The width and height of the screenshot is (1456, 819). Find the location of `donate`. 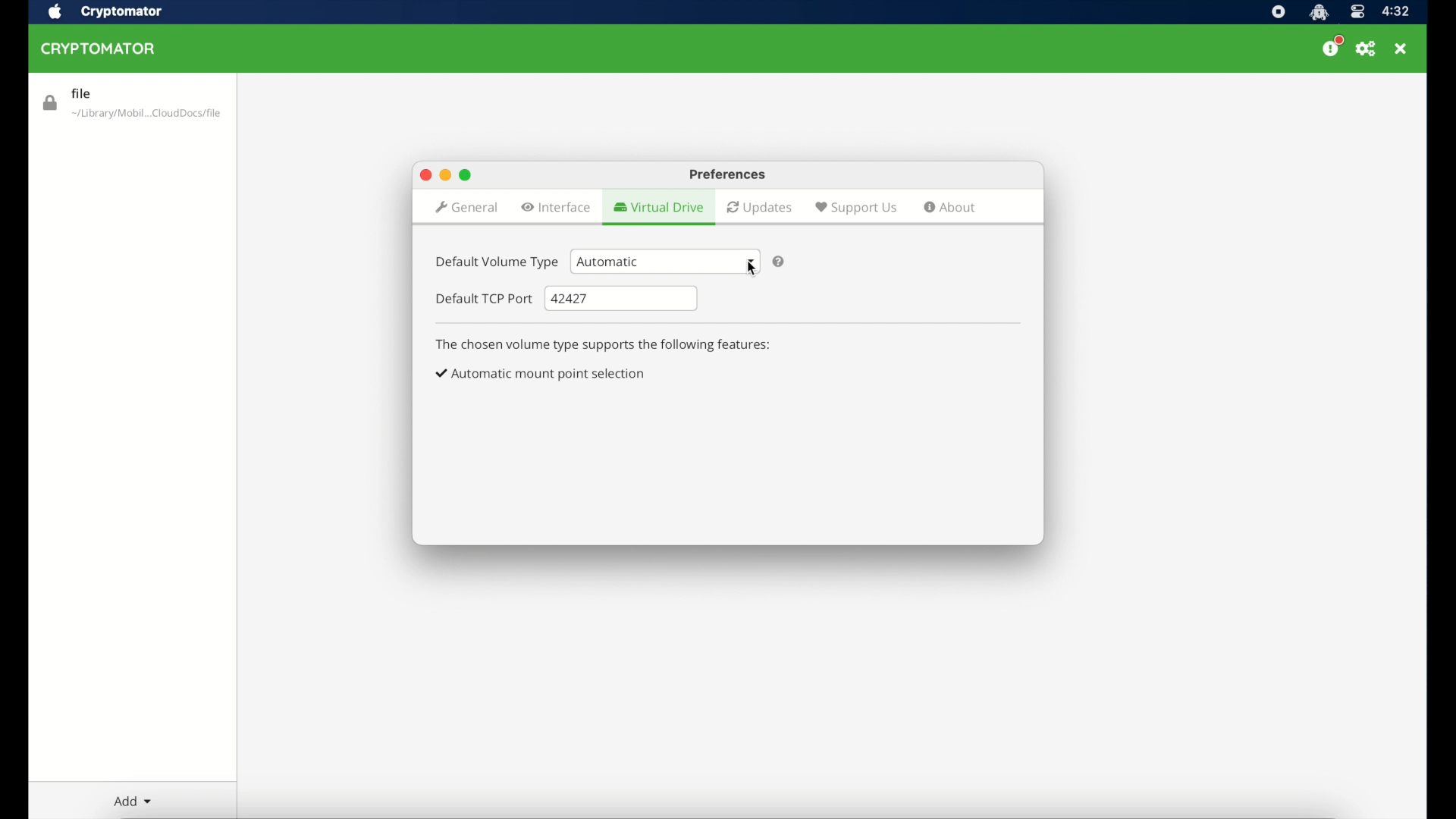

donate is located at coordinates (1332, 47).